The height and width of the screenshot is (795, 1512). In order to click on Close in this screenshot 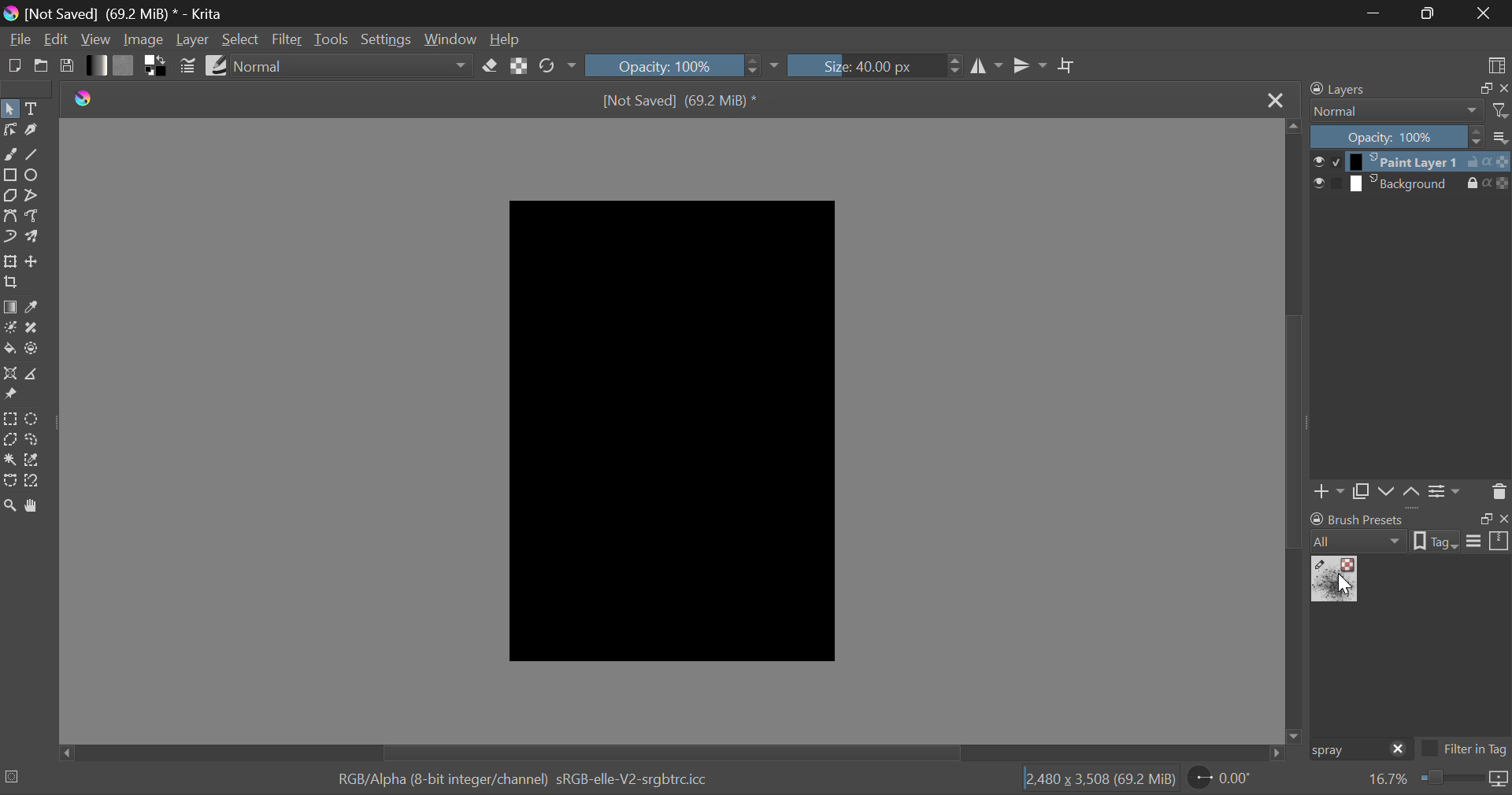, I will do `click(1275, 102)`.